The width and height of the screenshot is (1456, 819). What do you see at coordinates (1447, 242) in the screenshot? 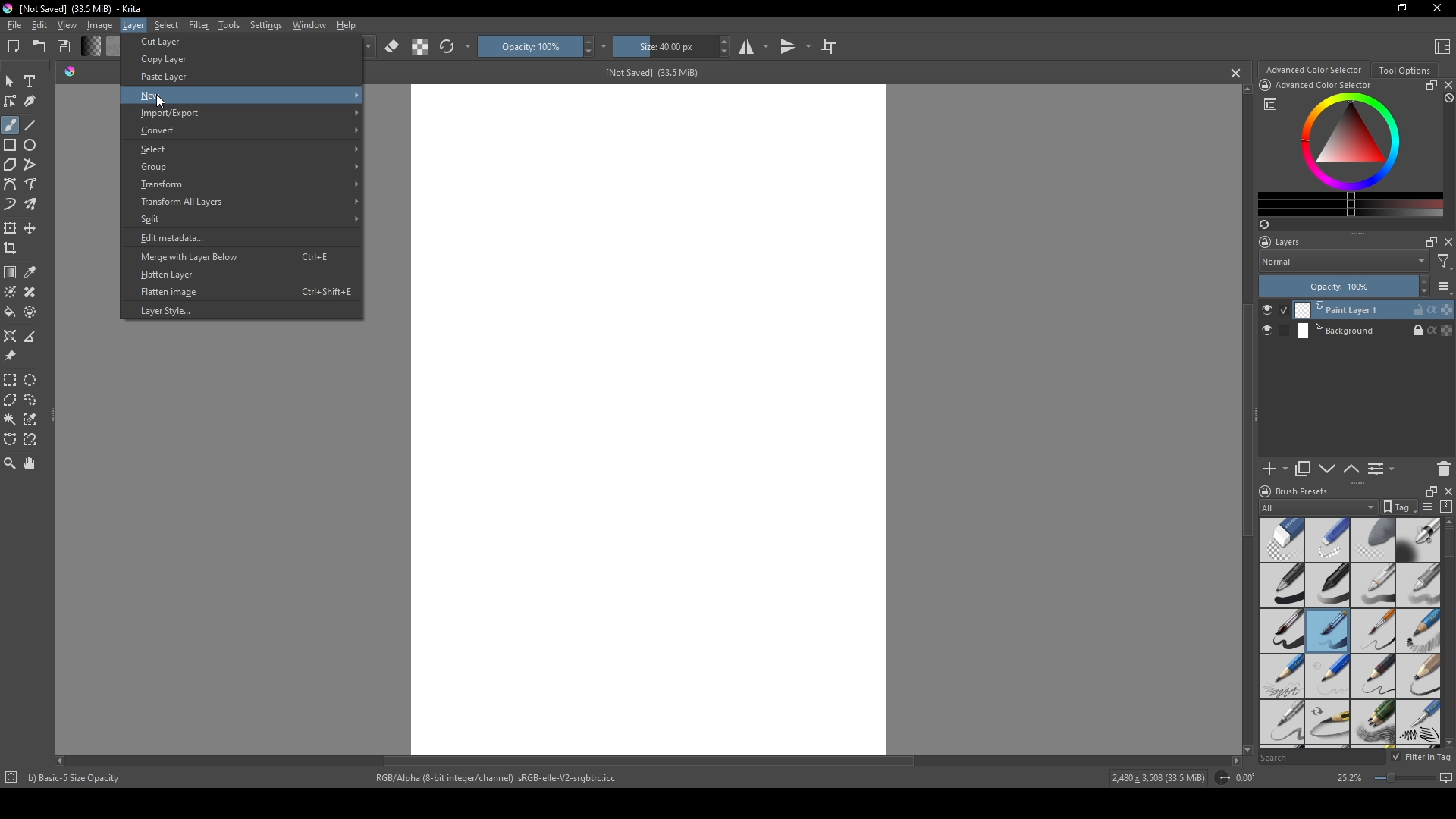
I see `close` at bounding box center [1447, 242].